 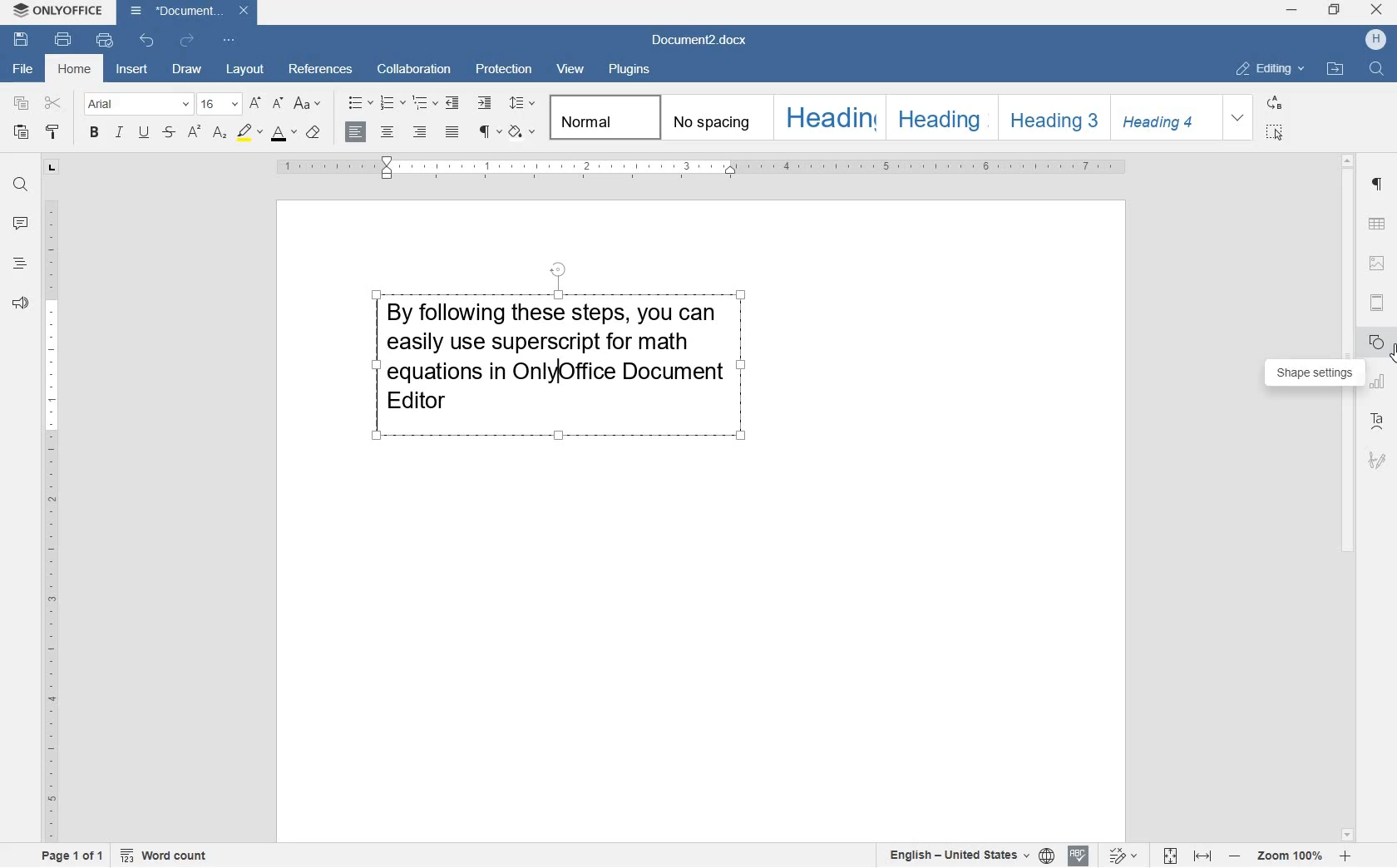 I want to click on decrement font size, so click(x=275, y=105).